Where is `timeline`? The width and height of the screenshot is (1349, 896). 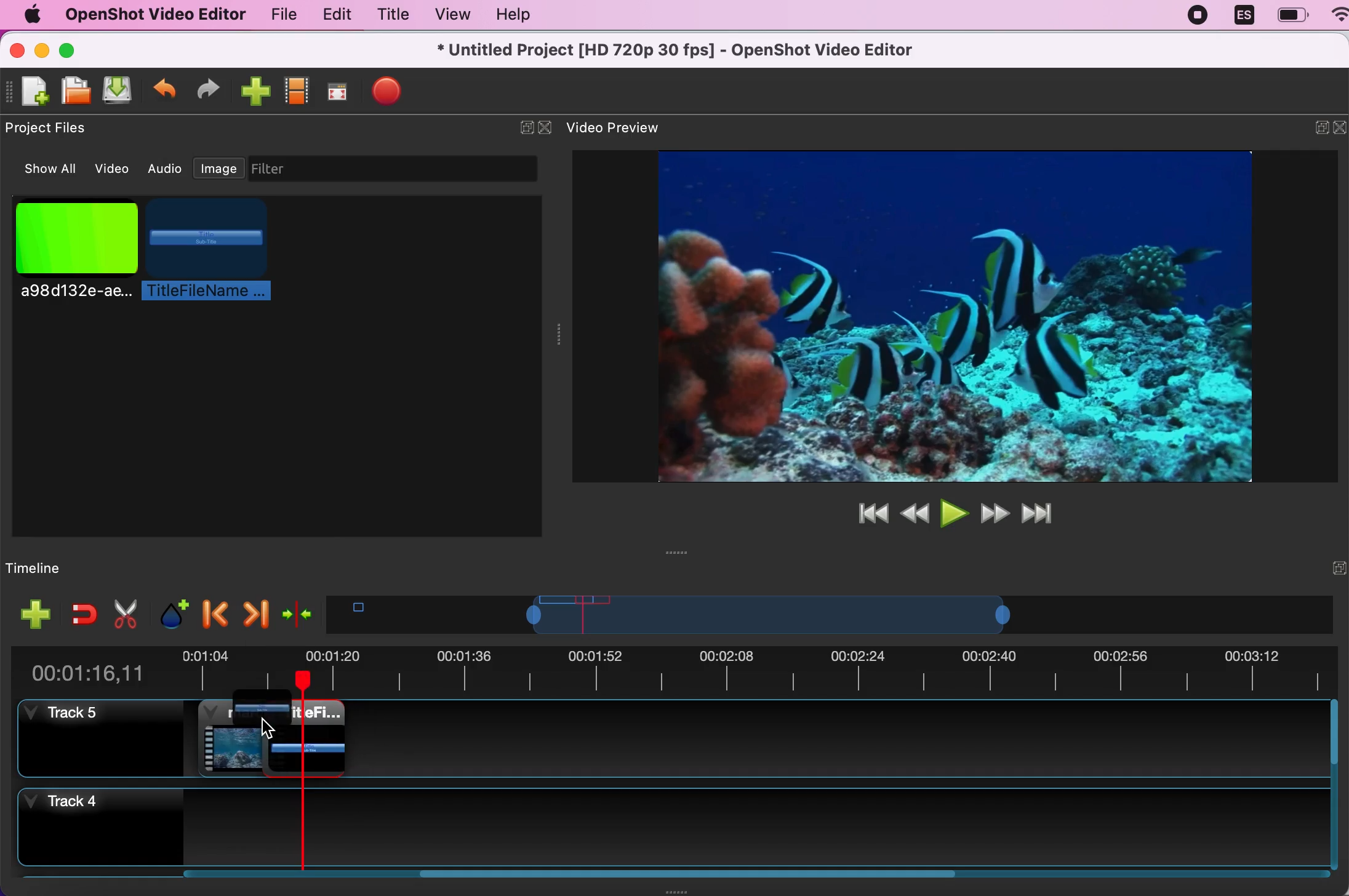 timeline is located at coordinates (66, 567).